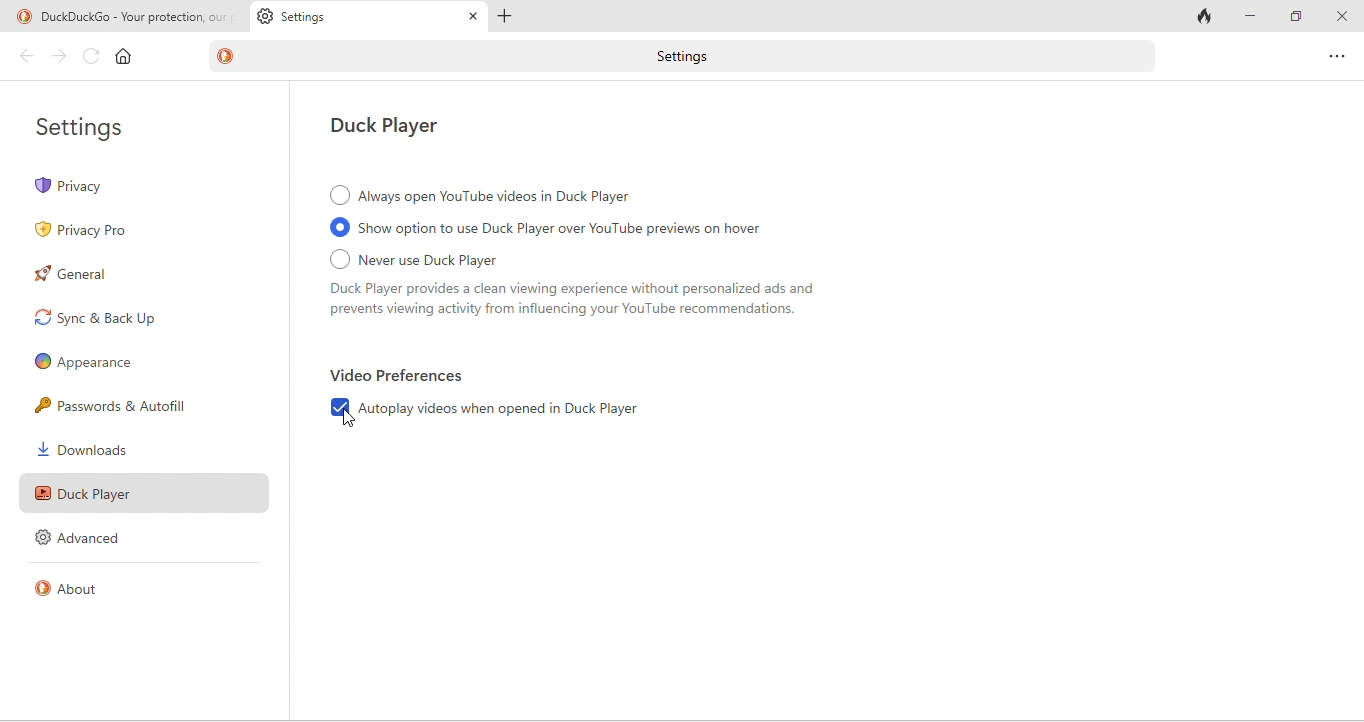 The image size is (1364, 722). I want to click on advanced, so click(85, 538).